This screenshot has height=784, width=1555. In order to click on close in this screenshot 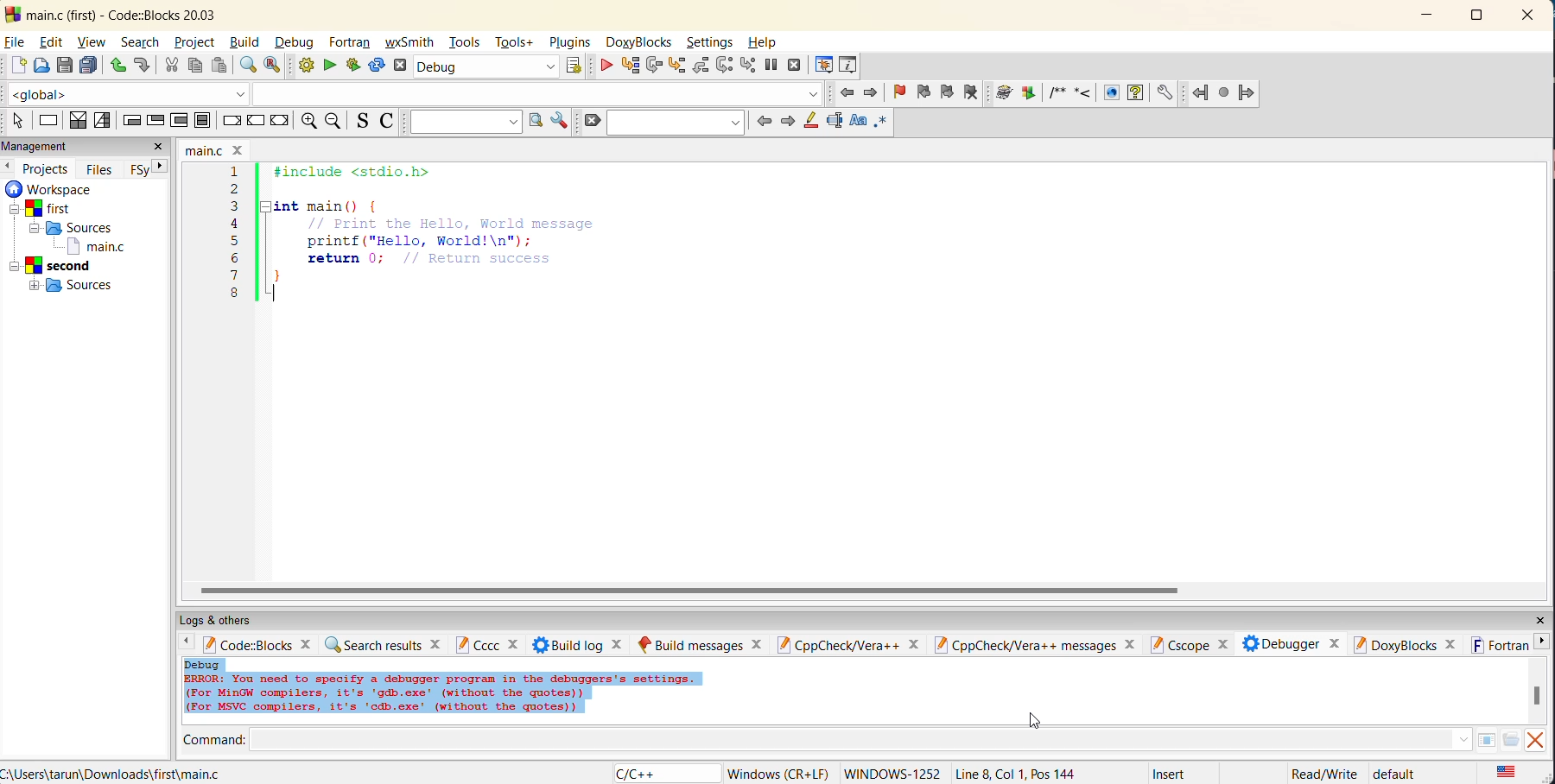, I will do `click(1536, 620)`.